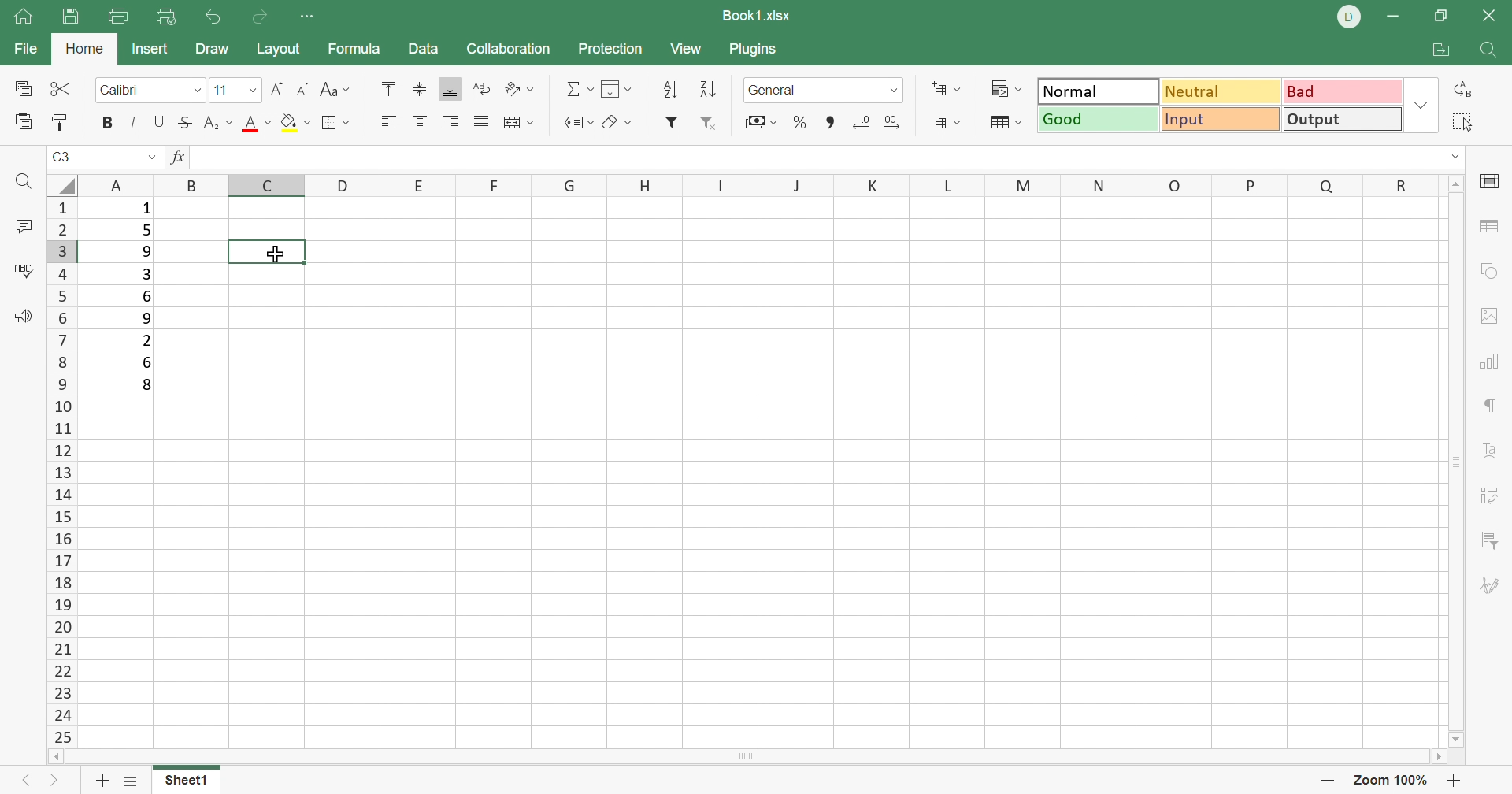 The width and height of the screenshot is (1512, 794). What do you see at coordinates (755, 123) in the screenshot?
I see `Accounting style` at bounding box center [755, 123].